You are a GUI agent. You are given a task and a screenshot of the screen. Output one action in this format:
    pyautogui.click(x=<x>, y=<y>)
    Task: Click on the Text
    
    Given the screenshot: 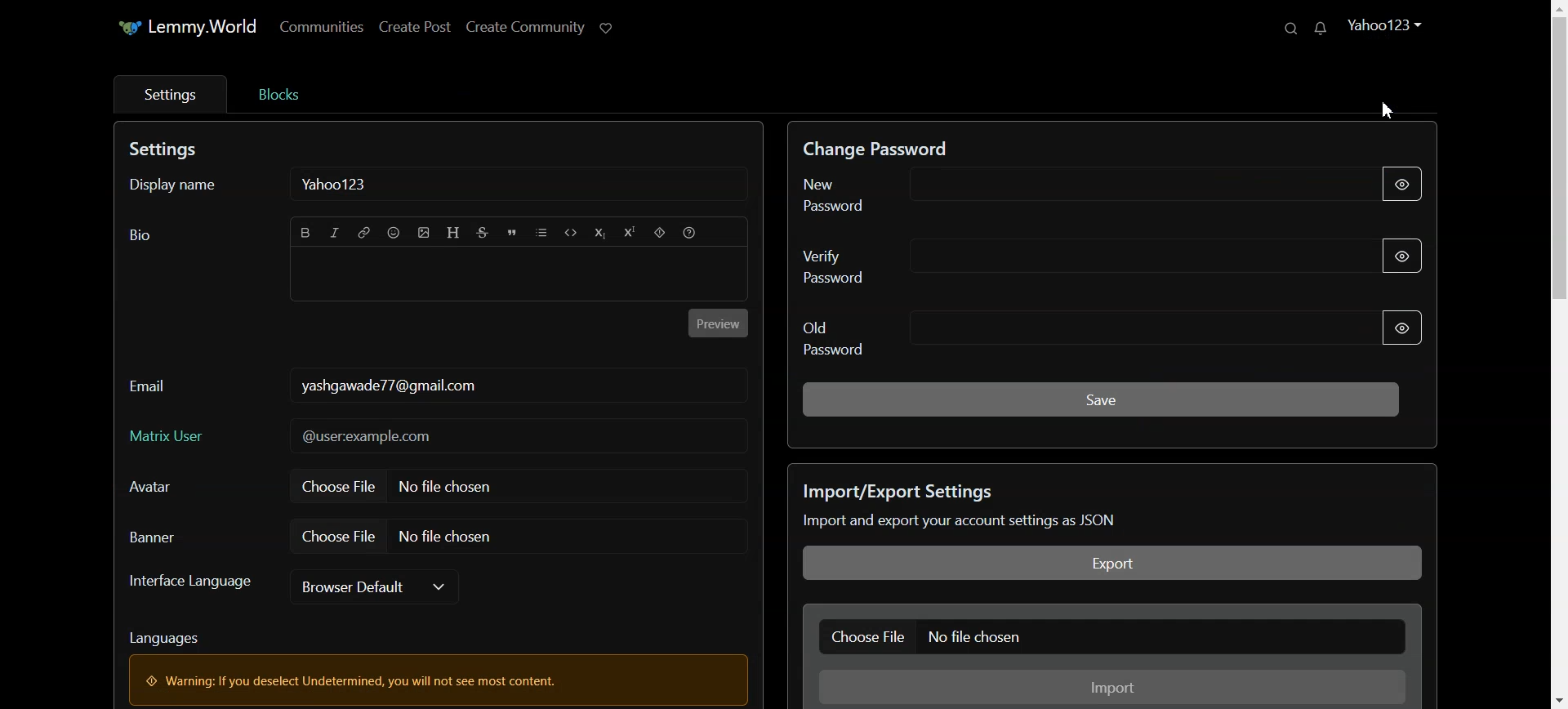 What is the action you would take?
    pyautogui.click(x=162, y=149)
    